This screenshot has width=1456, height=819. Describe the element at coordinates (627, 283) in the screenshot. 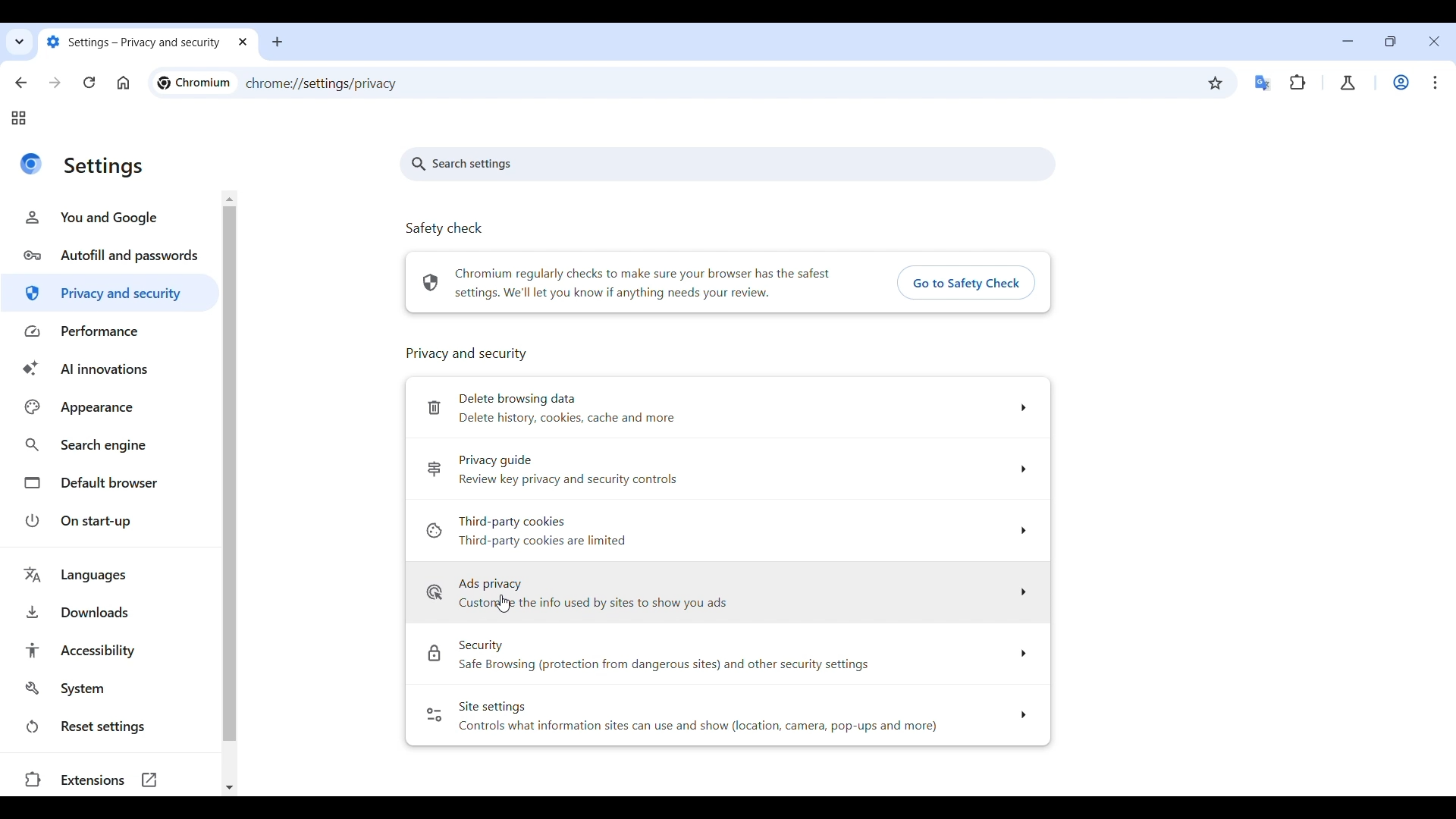

I see `Logo and description of safety check` at that location.